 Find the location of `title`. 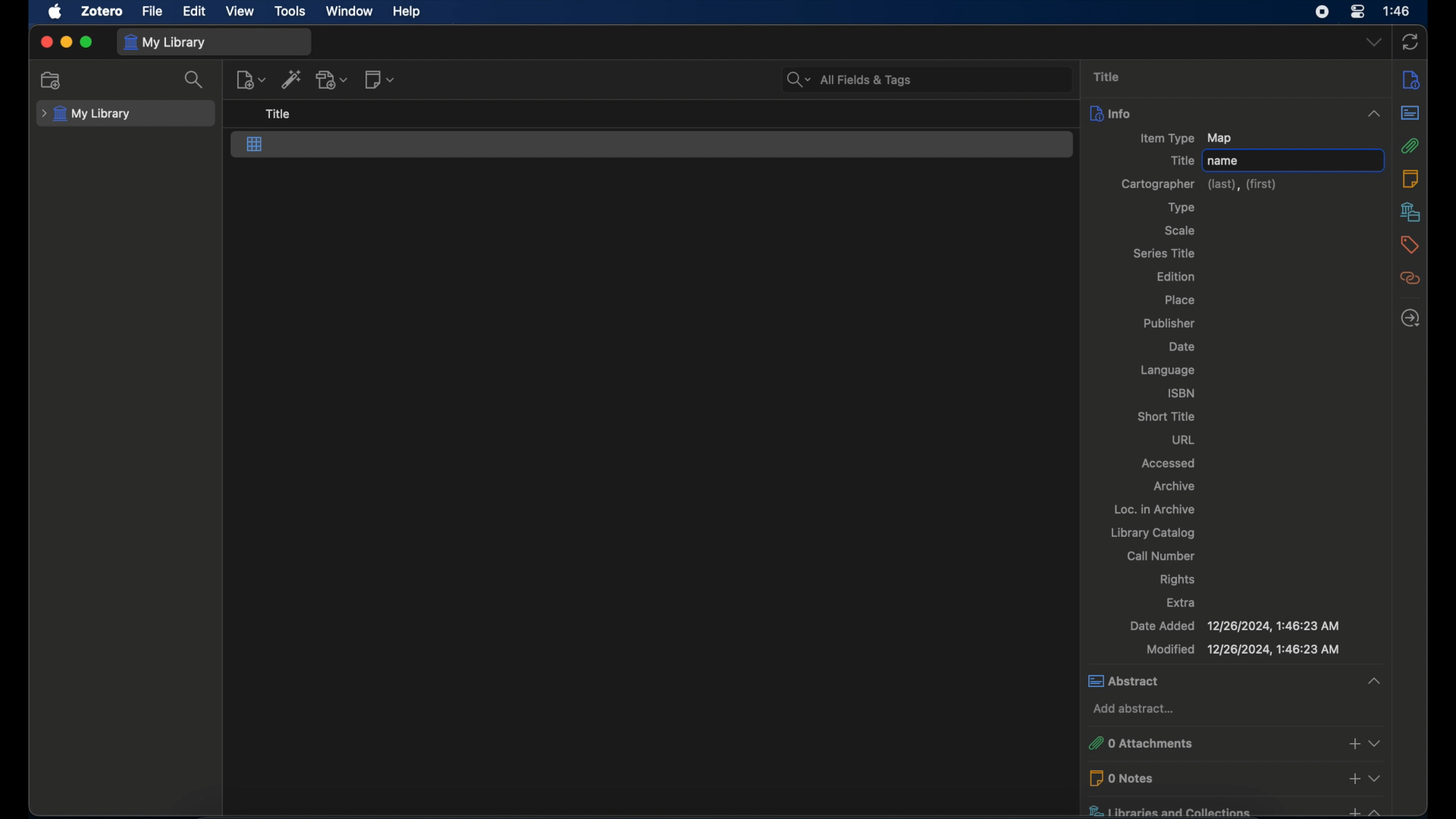

title is located at coordinates (1182, 161).